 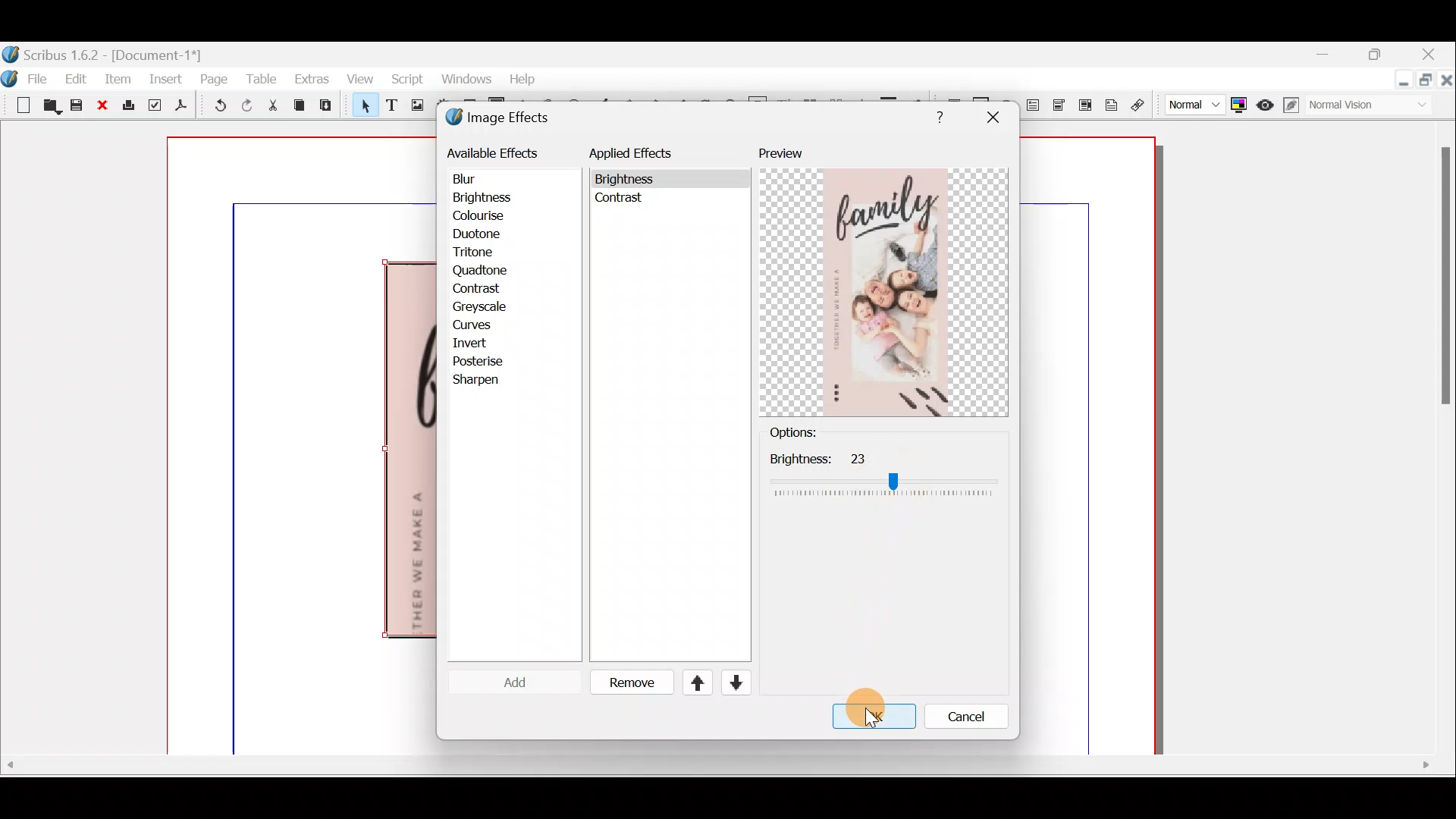 What do you see at coordinates (77, 107) in the screenshot?
I see `Save` at bounding box center [77, 107].